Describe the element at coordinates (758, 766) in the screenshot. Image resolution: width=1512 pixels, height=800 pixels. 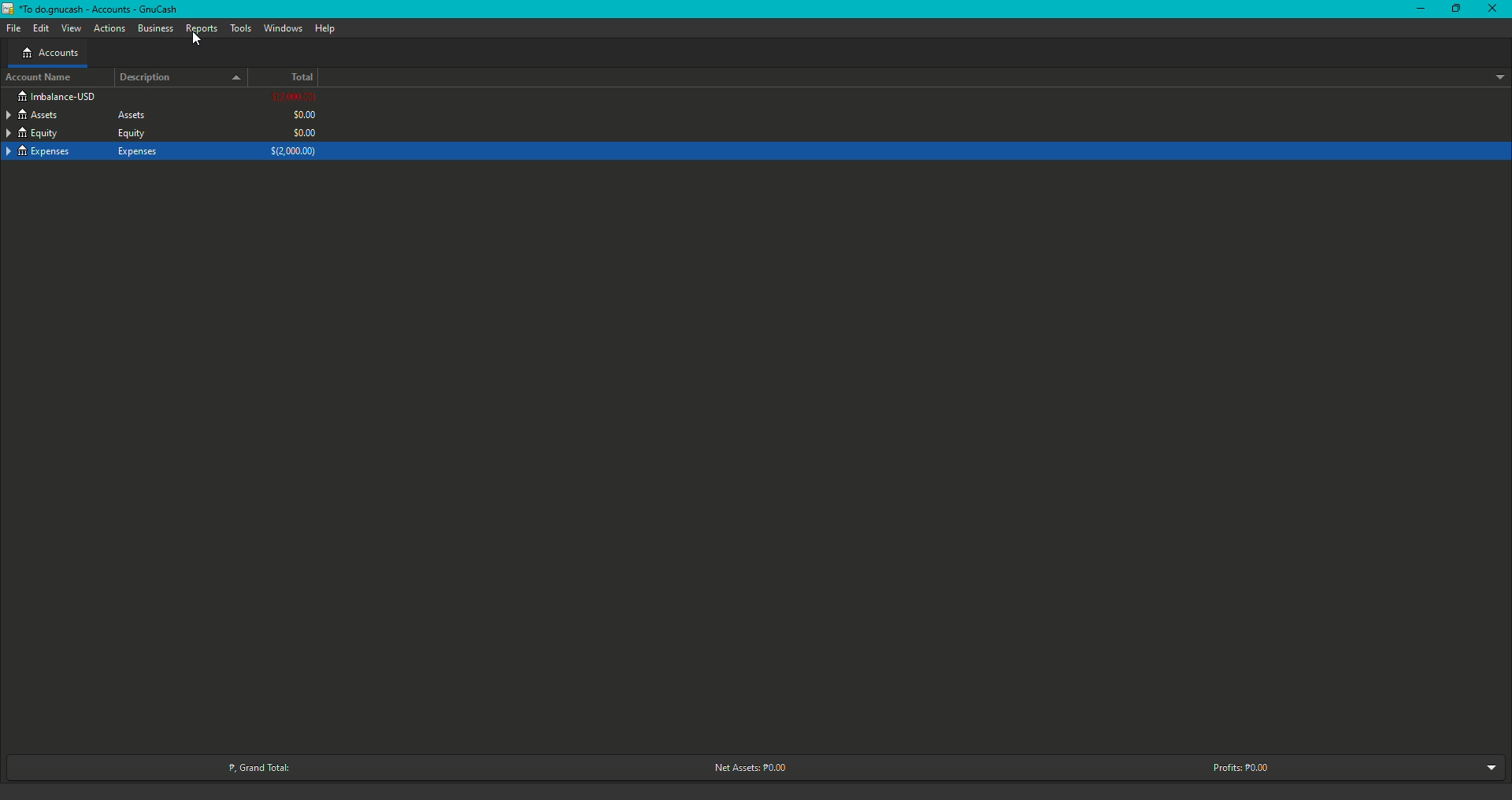
I see `Net Assets` at that location.